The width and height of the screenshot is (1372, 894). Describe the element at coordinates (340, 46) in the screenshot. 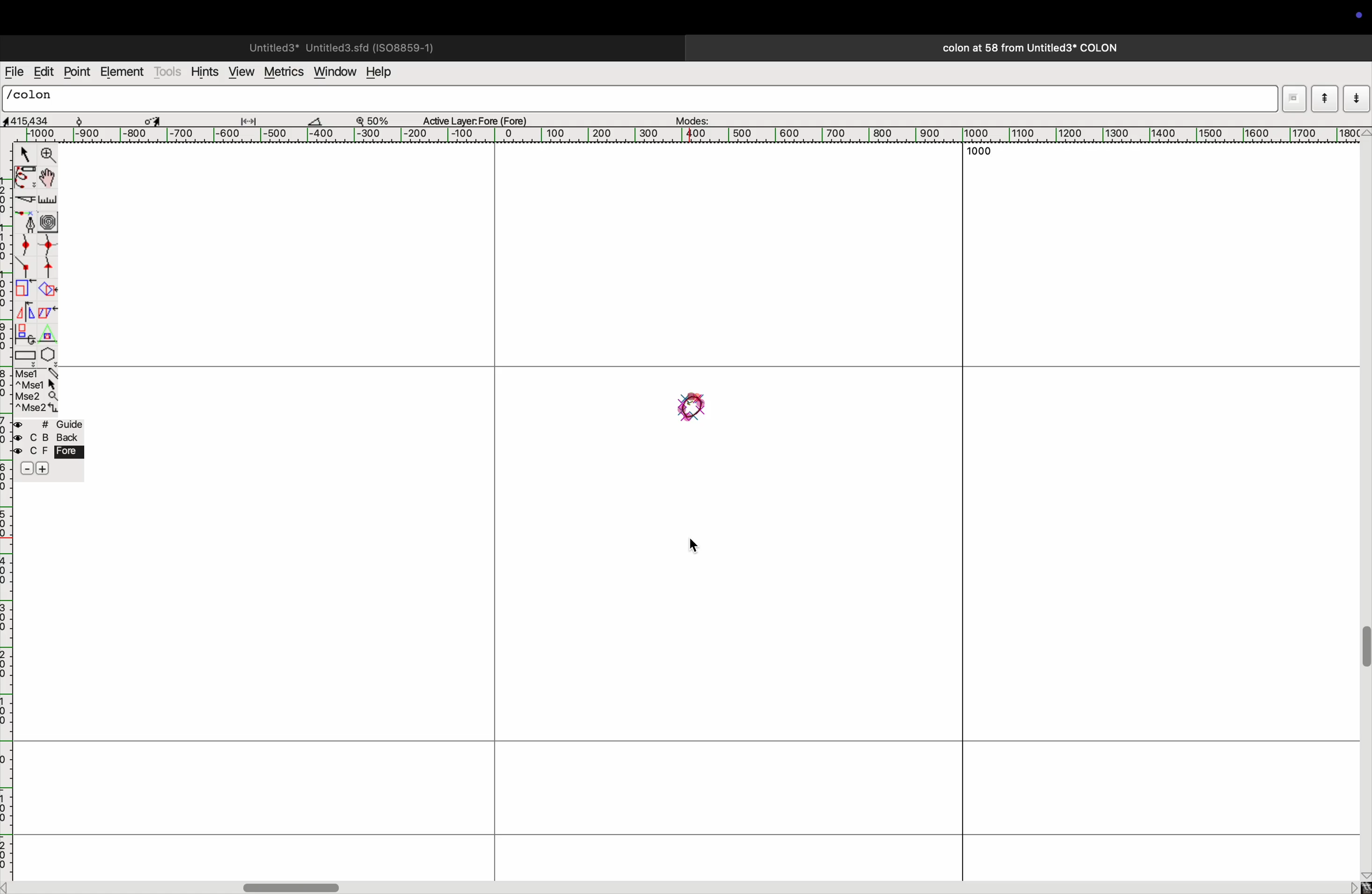

I see `untitled page` at that location.